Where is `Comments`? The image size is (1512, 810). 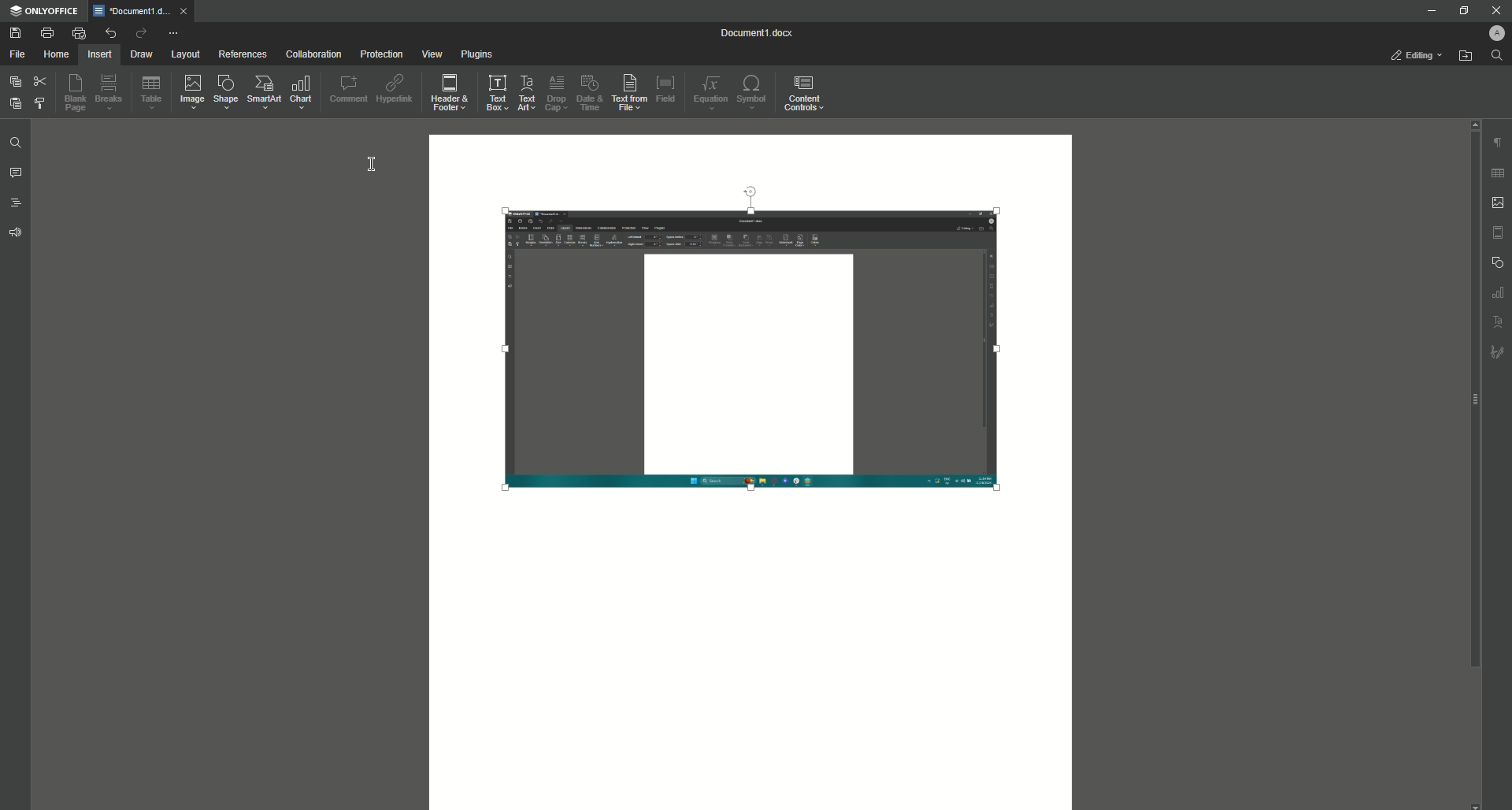 Comments is located at coordinates (18, 174).